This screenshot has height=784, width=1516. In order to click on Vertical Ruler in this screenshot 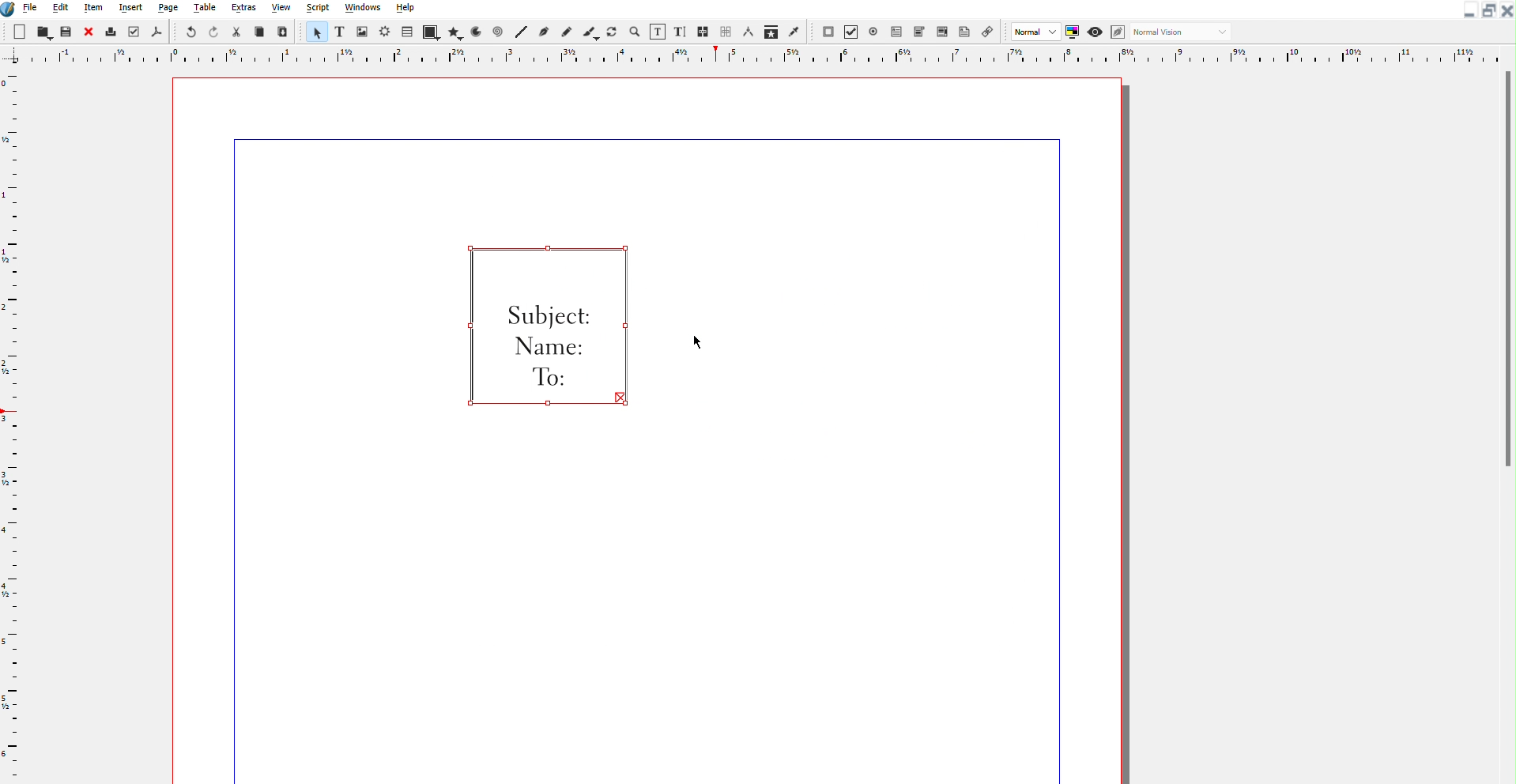, I will do `click(14, 425)`.